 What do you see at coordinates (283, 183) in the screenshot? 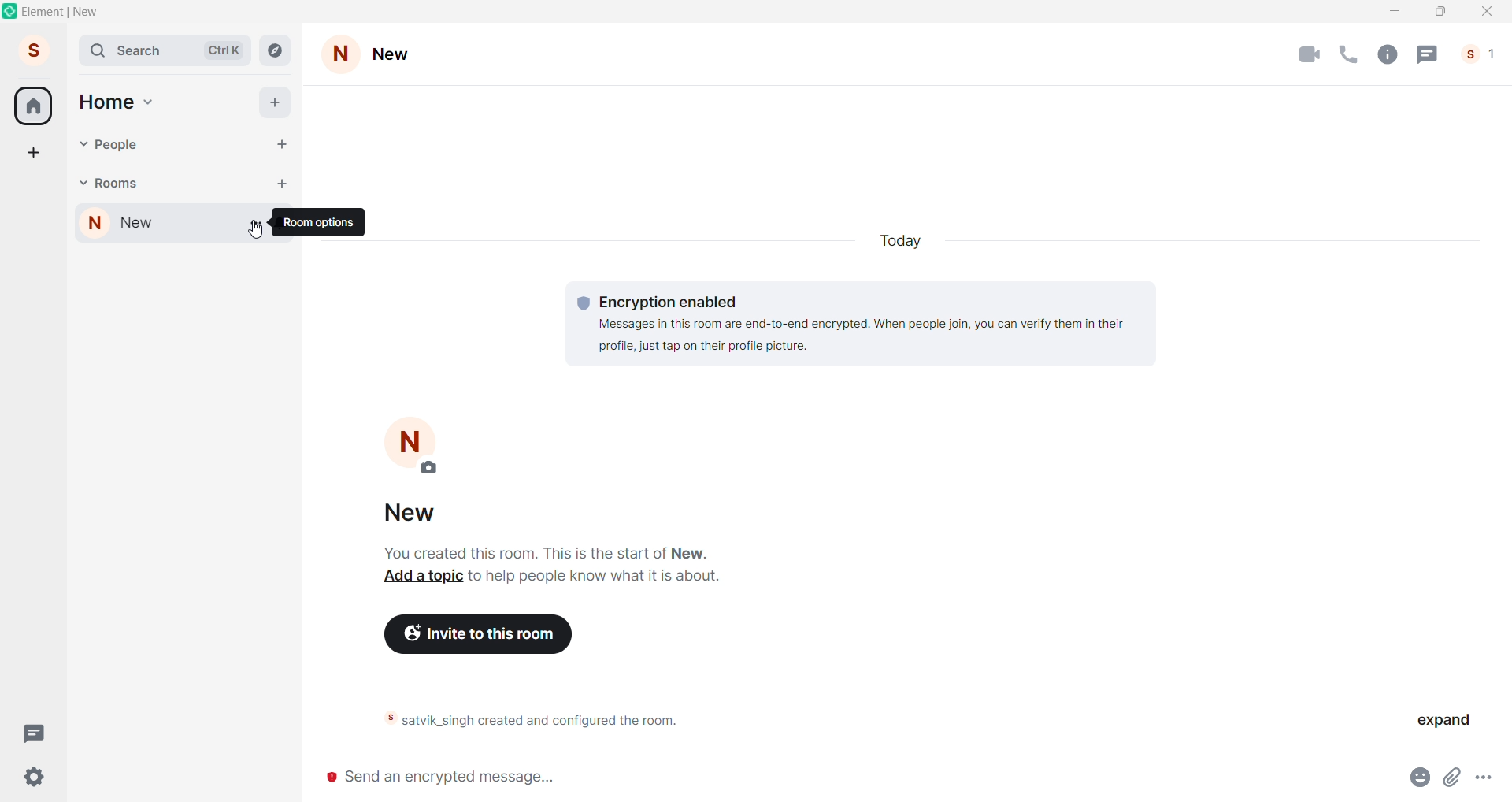
I see `Add Room` at bounding box center [283, 183].